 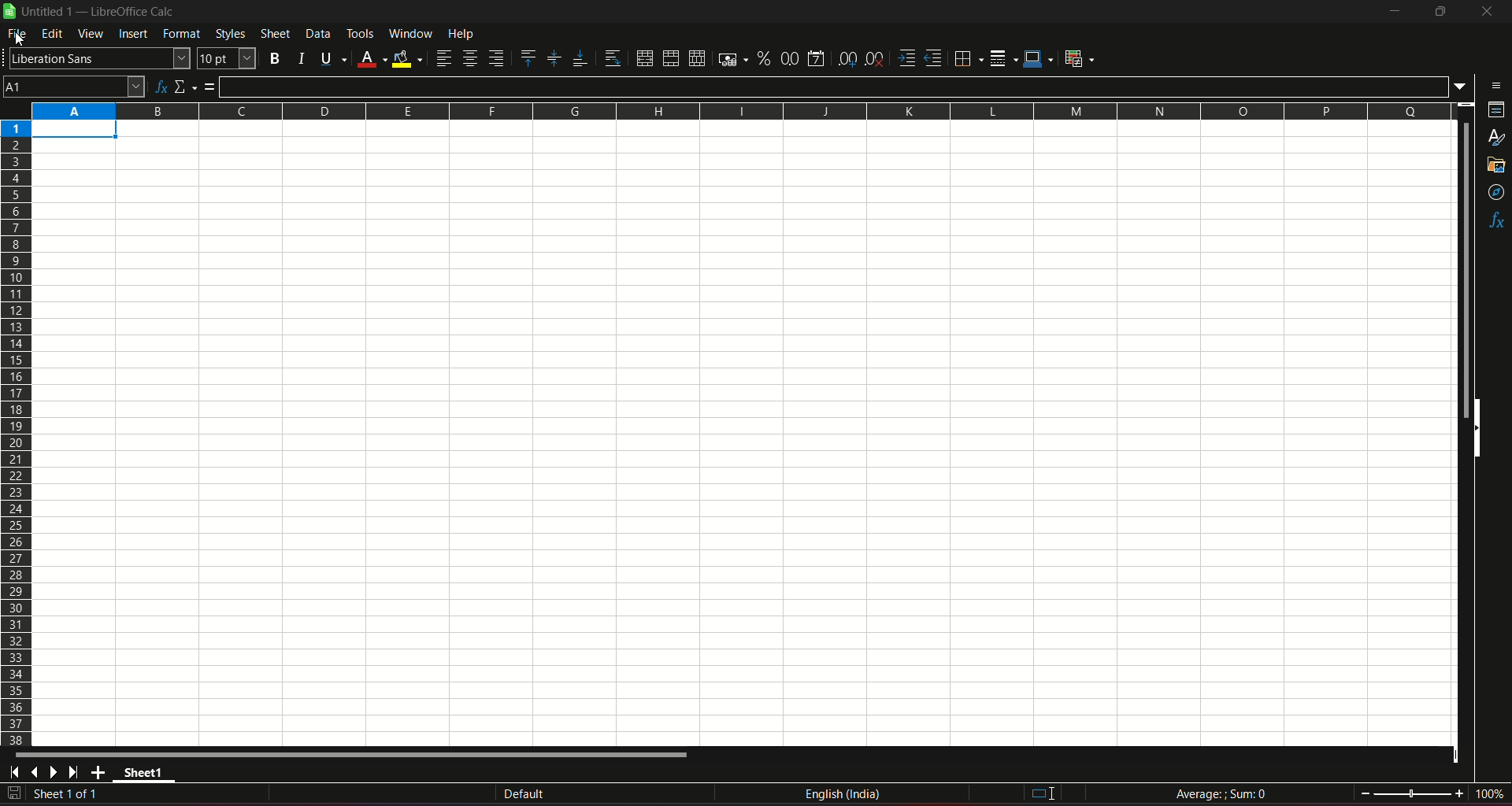 I want to click on sidebar settings, so click(x=1492, y=84).